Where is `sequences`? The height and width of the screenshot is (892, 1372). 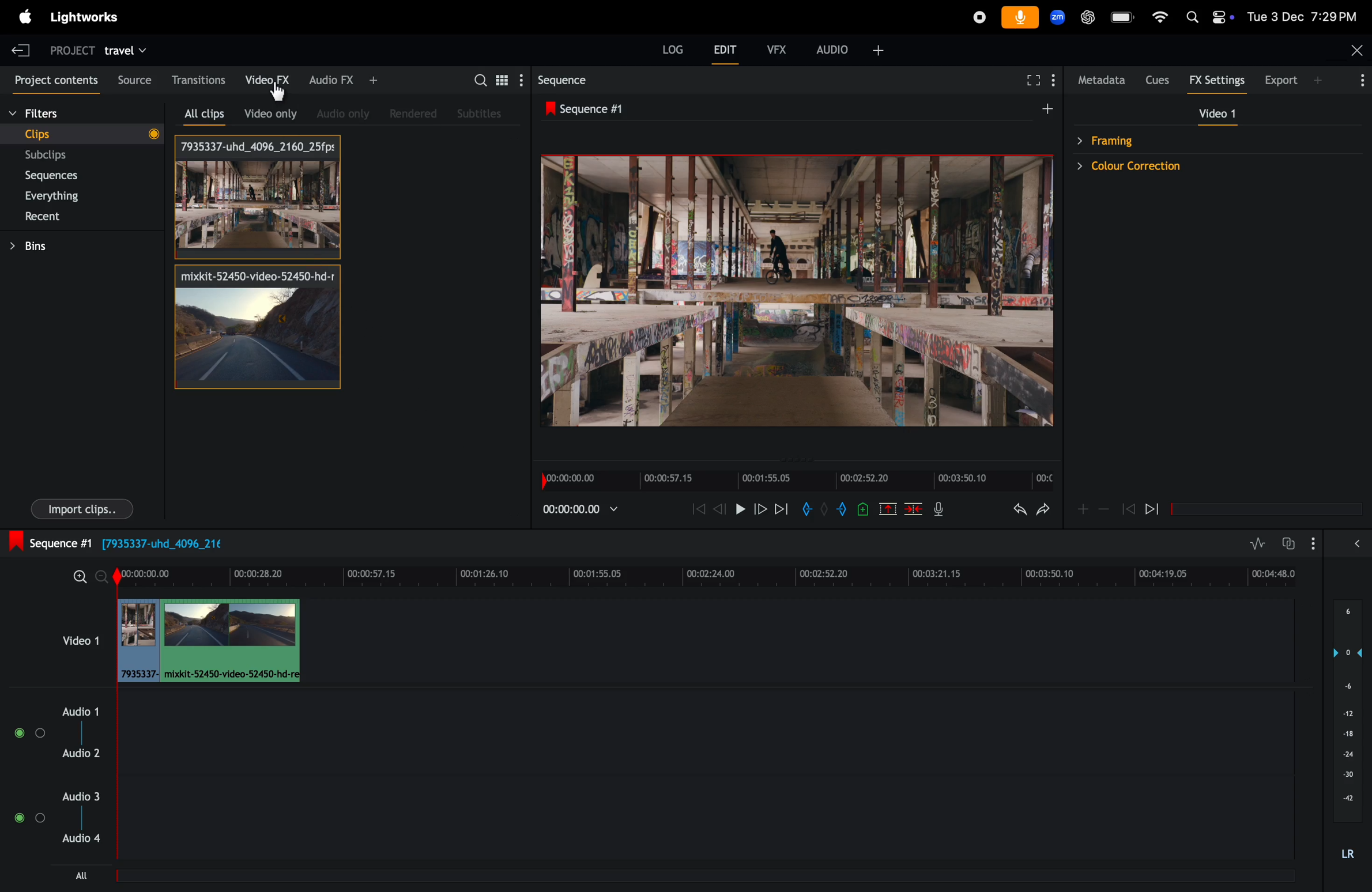 sequences is located at coordinates (70, 175).